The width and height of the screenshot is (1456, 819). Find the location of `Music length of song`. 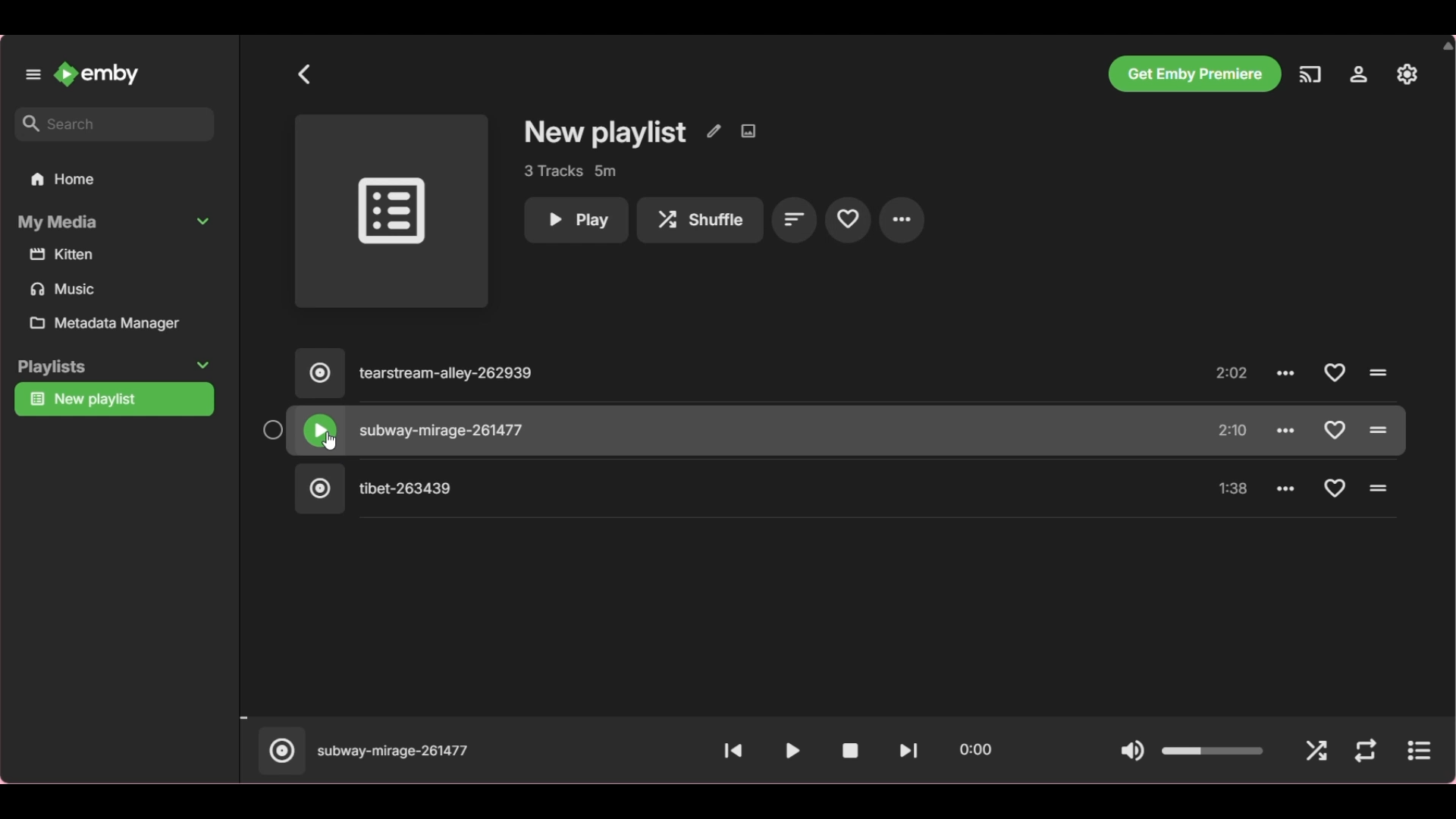

Music length of song is located at coordinates (1234, 431).